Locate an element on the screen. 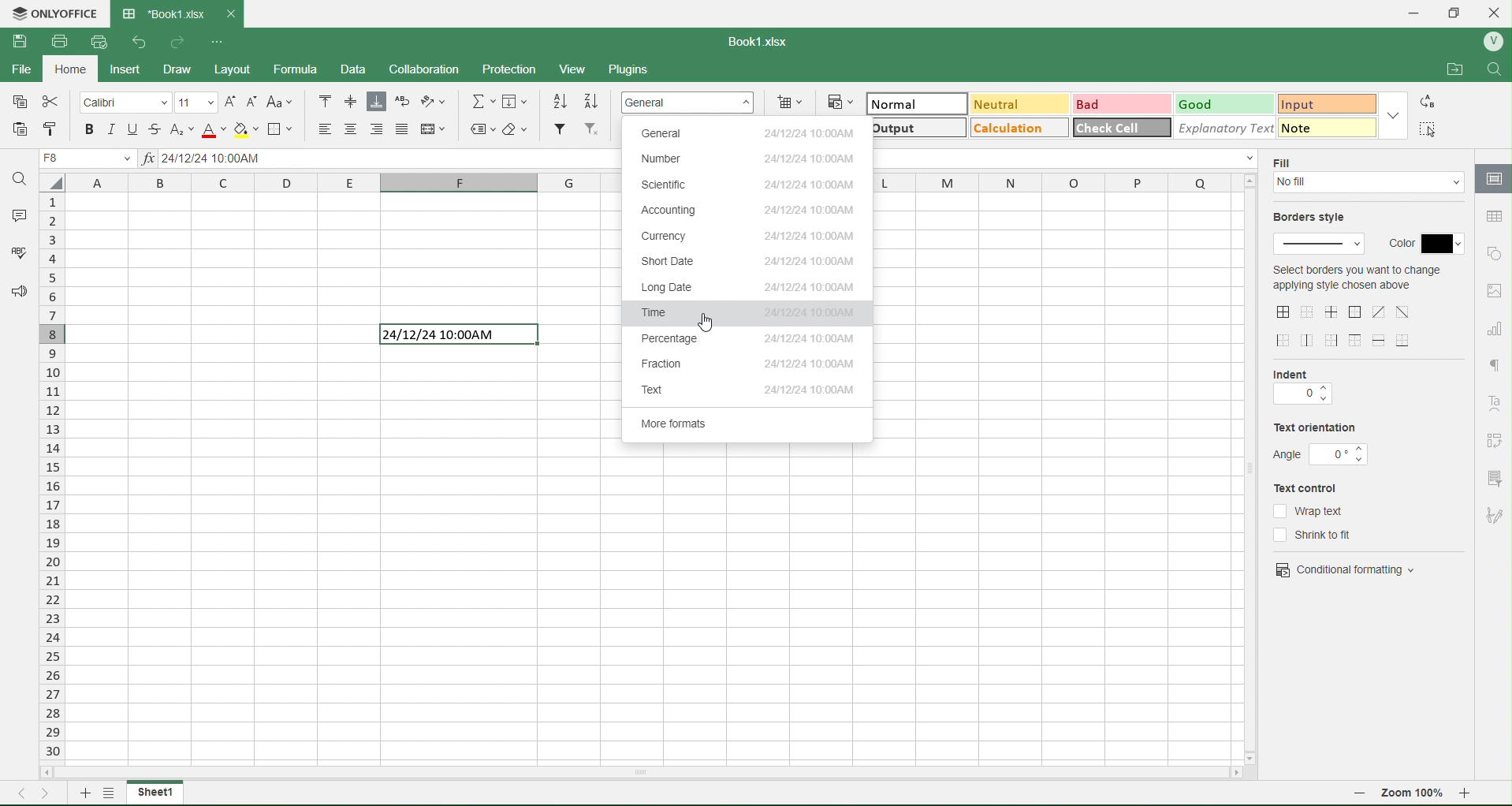  perious sheet is located at coordinates (26, 792).